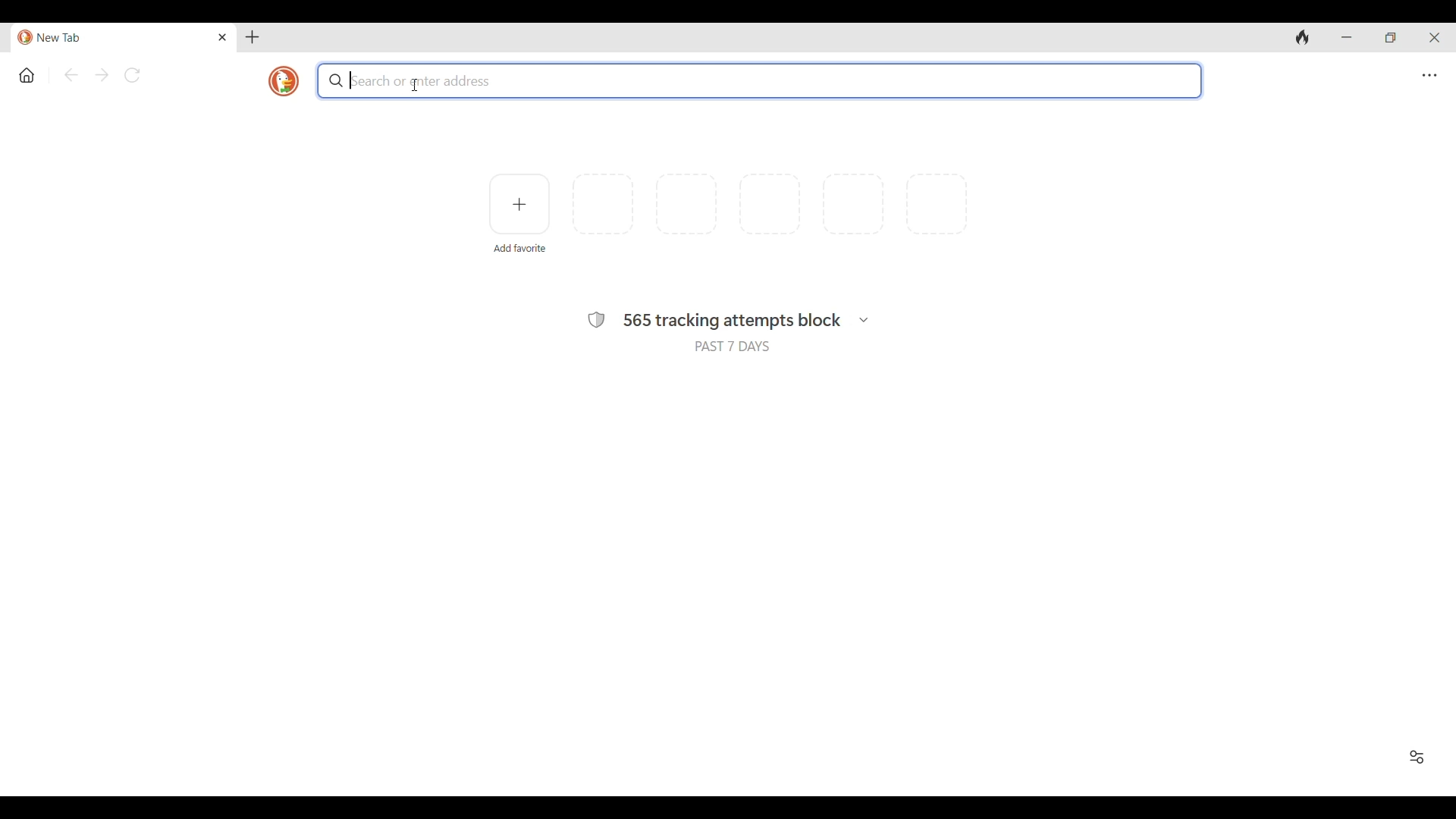 The width and height of the screenshot is (1456, 819). Describe the element at coordinates (27, 76) in the screenshot. I see `Home` at that location.